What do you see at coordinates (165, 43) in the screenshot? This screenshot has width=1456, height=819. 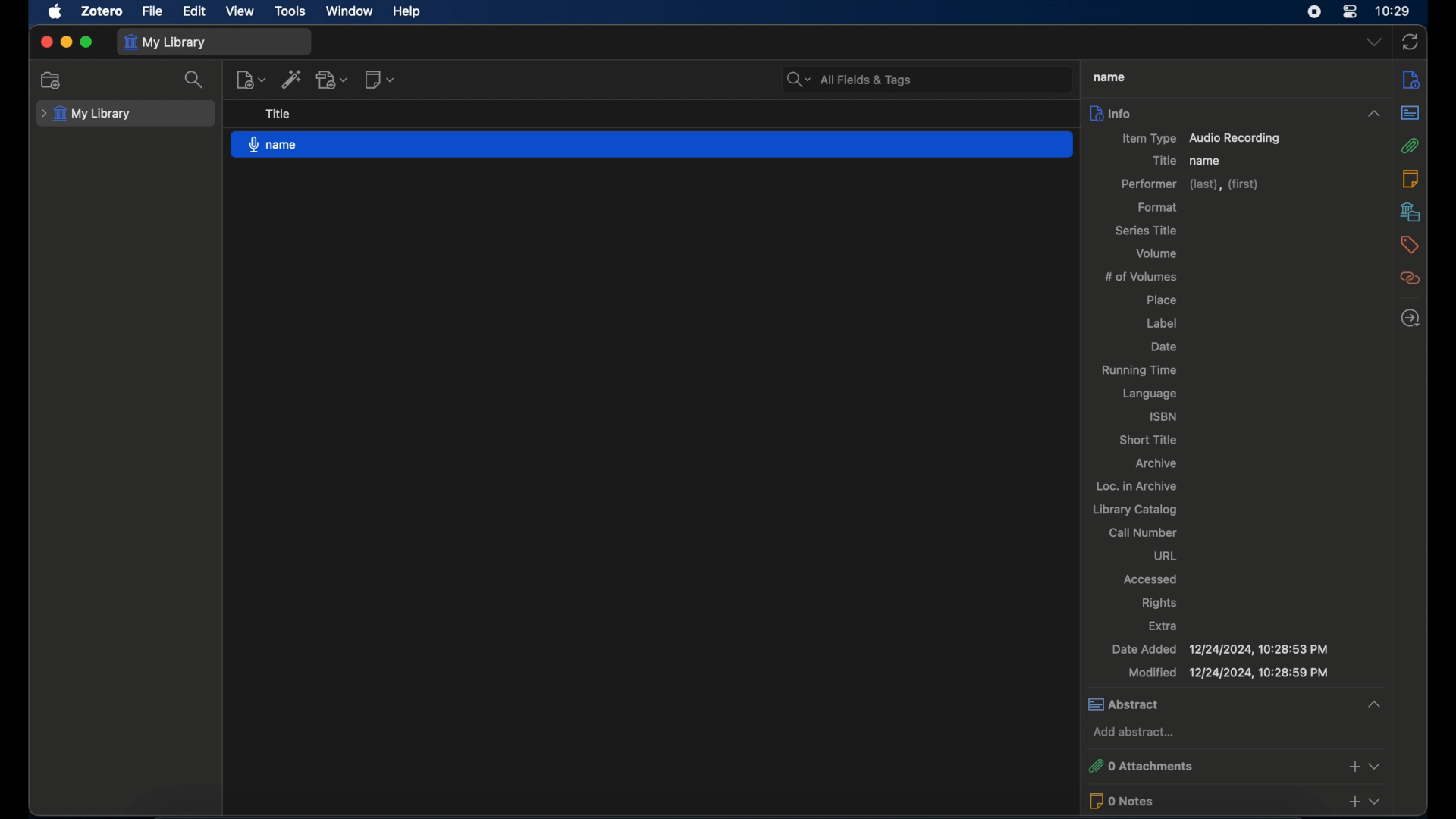 I see `my library` at bounding box center [165, 43].